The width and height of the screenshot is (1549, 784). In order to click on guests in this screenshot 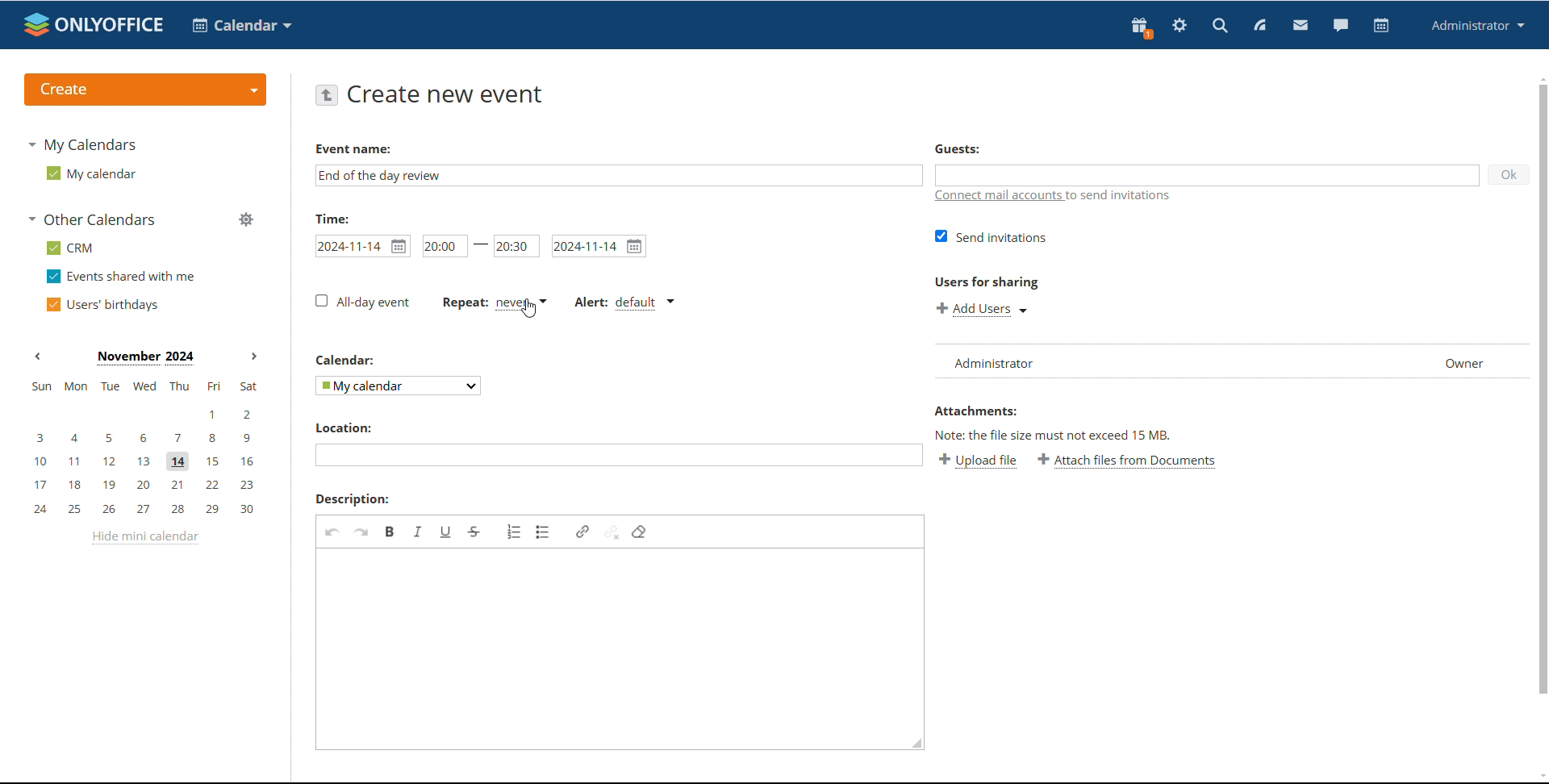, I will do `click(957, 148)`.